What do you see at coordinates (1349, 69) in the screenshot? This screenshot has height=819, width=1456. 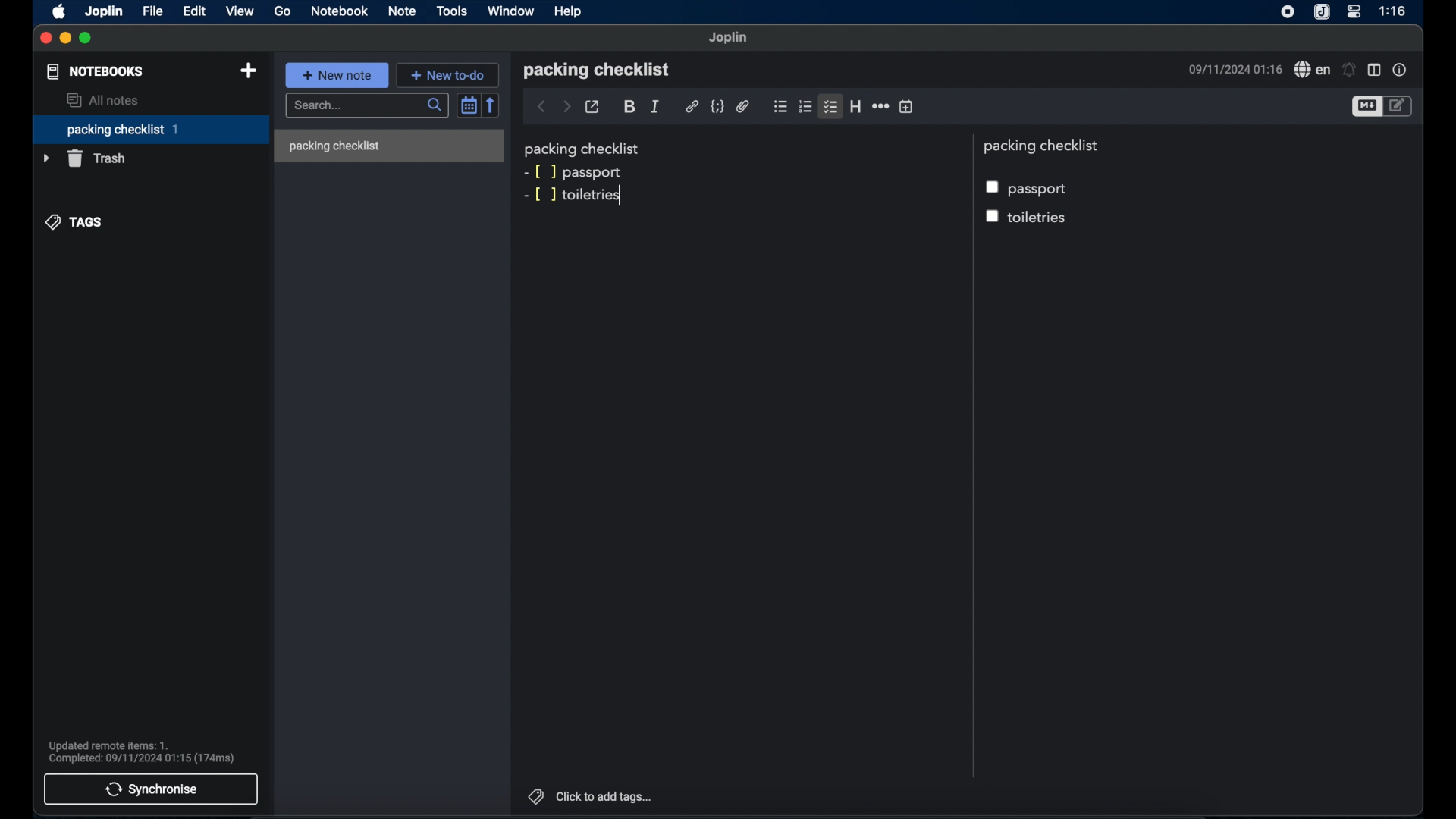 I see `set alarm` at bounding box center [1349, 69].